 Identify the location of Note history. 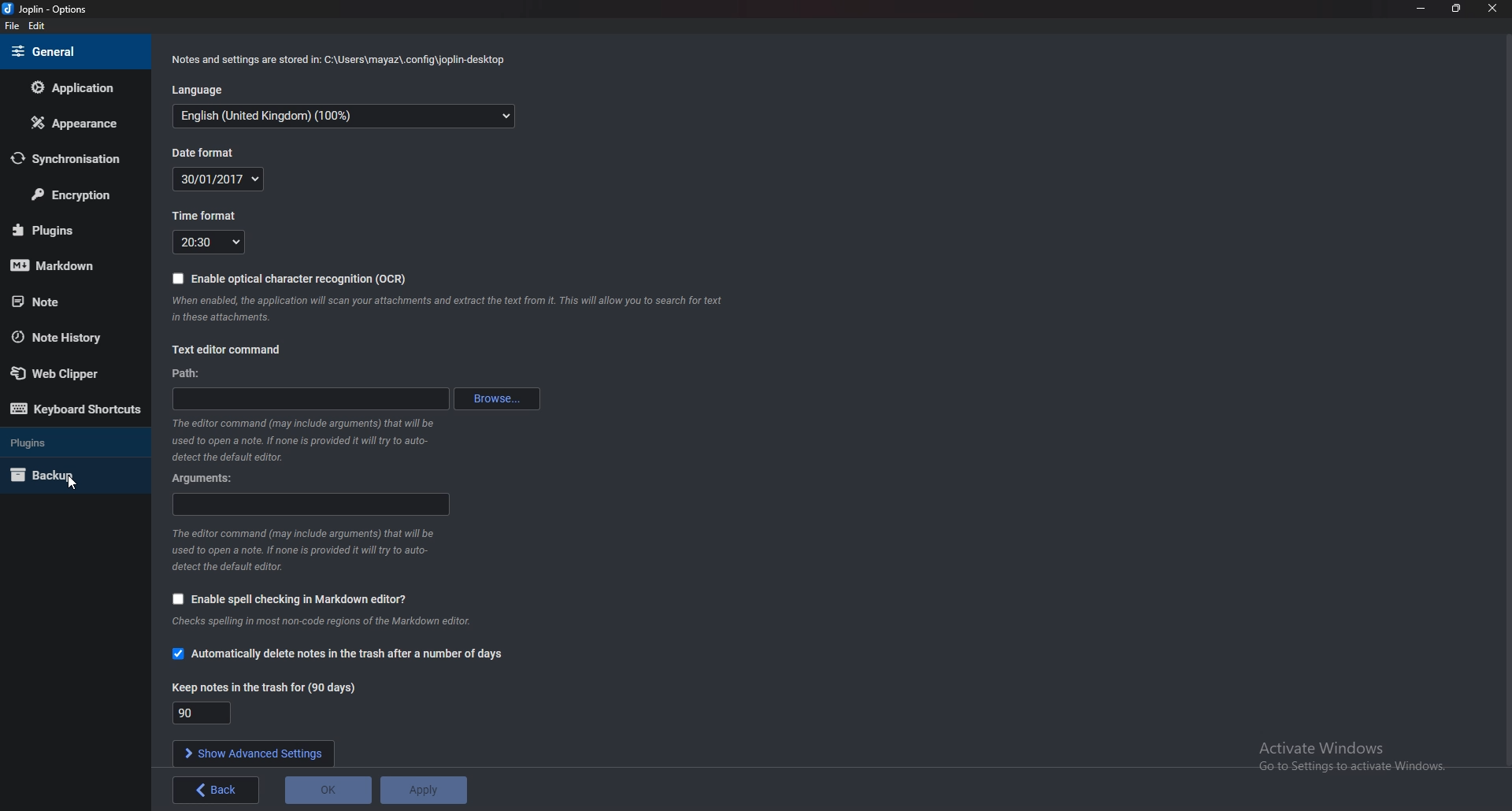
(64, 336).